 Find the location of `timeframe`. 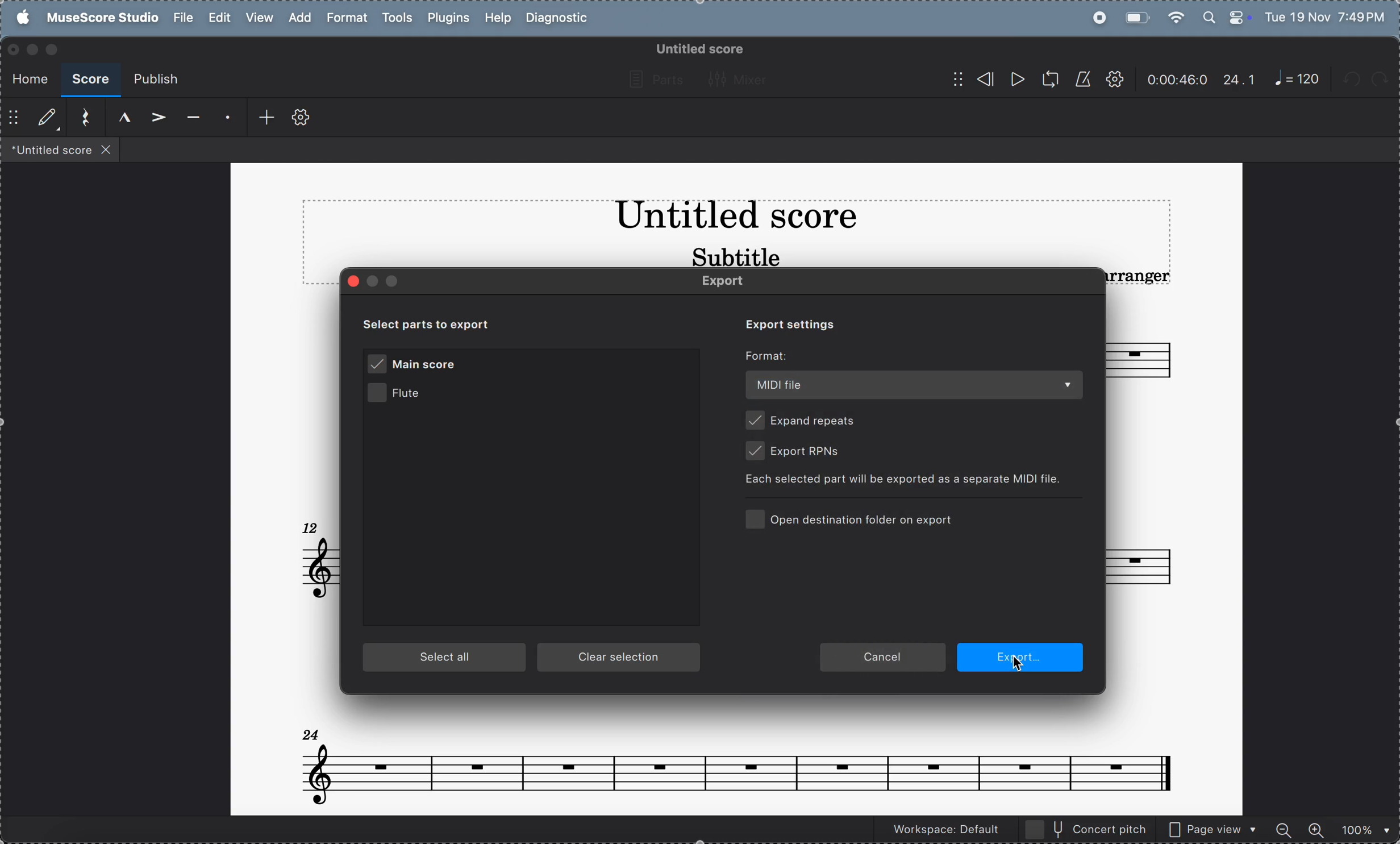

timeframe is located at coordinates (1177, 79).